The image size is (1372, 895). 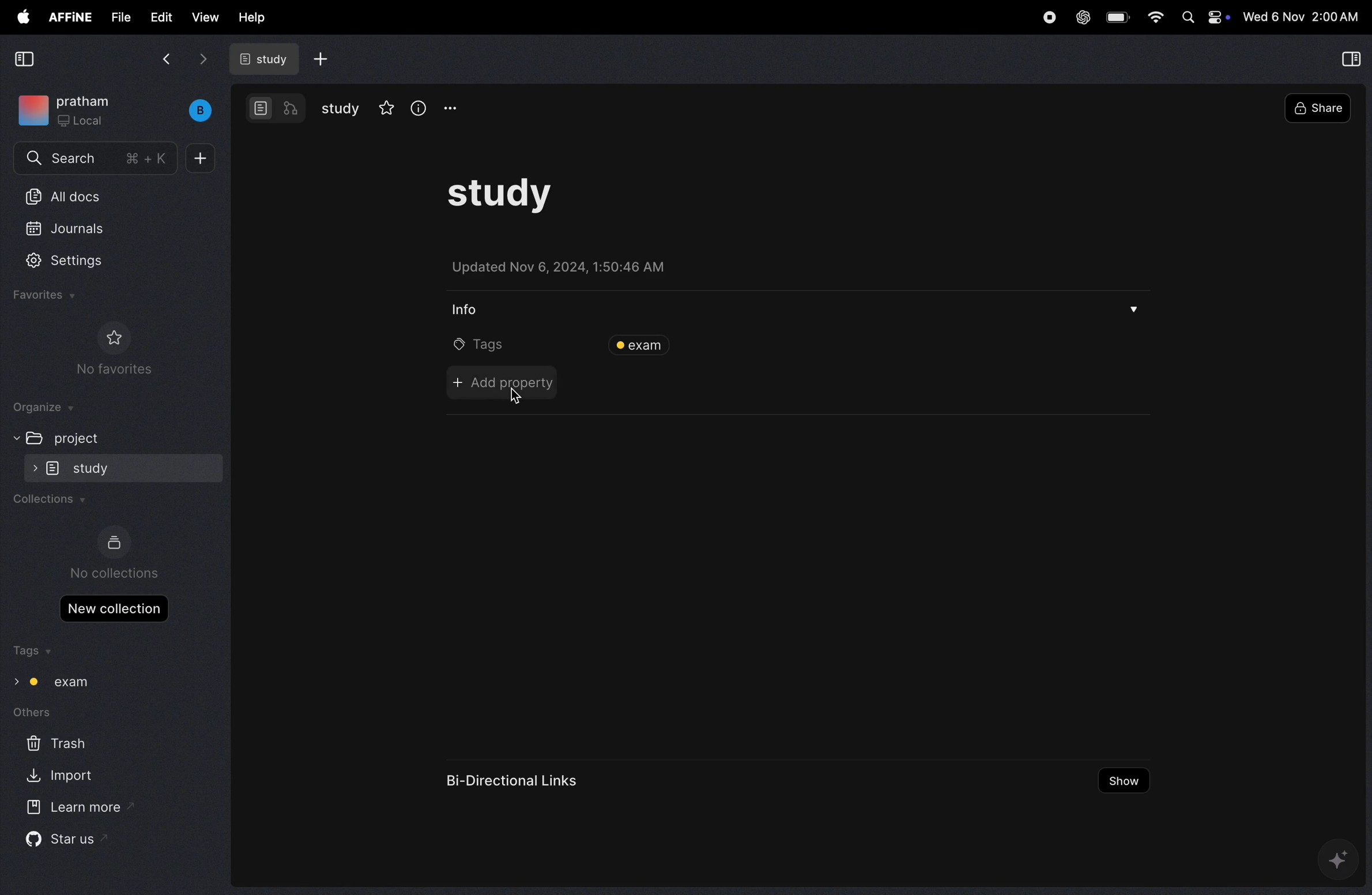 What do you see at coordinates (1350, 60) in the screenshot?
I see `collapse view` at bounding box center [1350, 60].